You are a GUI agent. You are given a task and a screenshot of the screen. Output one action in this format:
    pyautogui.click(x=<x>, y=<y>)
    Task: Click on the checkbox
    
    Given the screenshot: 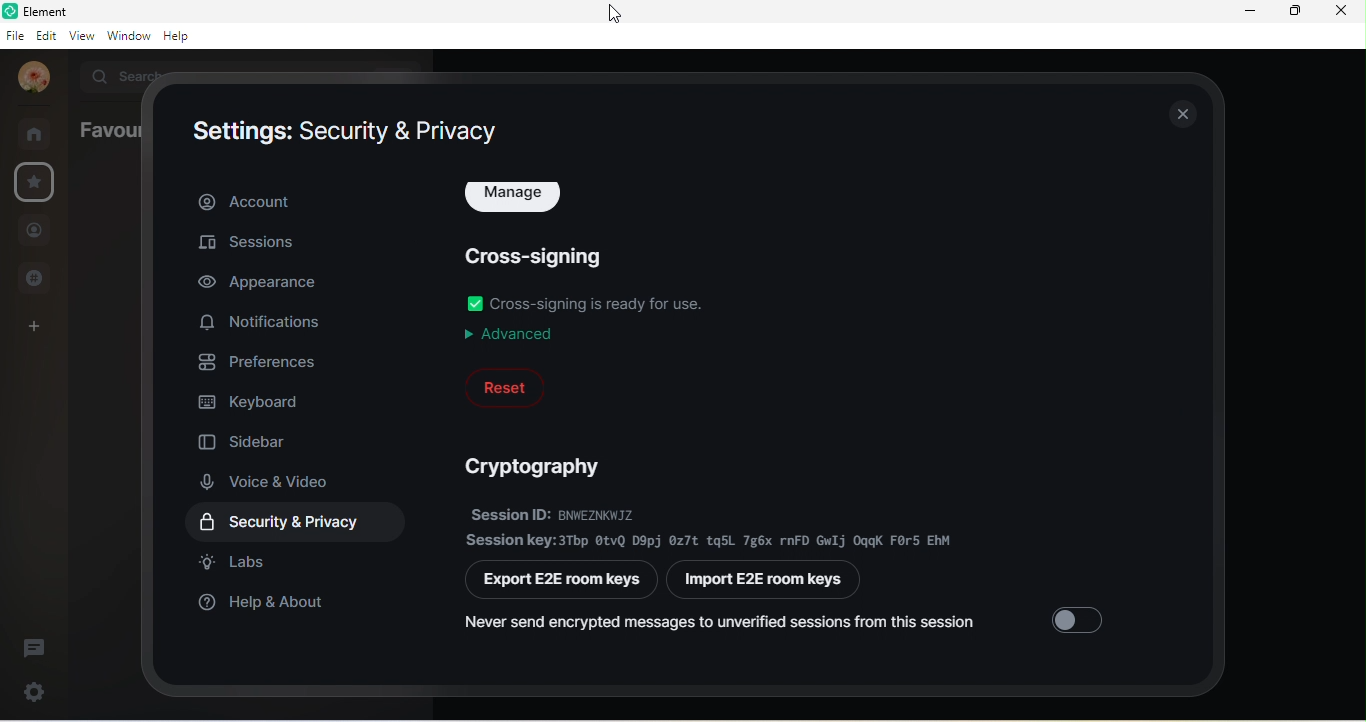 What is the action you would take?
    pyautogui.click(x=476, y=304)
    